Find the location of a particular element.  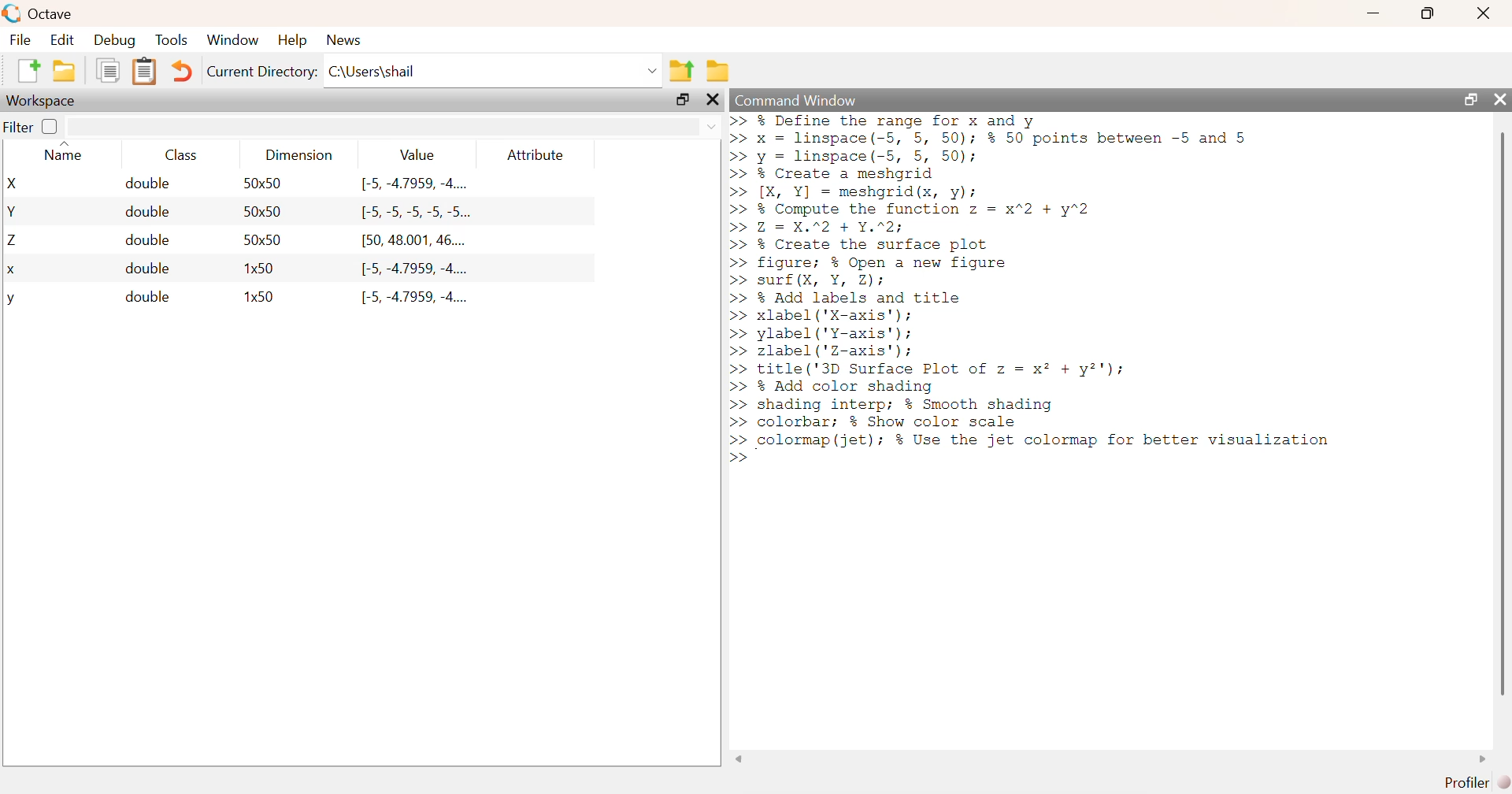

New File is located at coordinates (28, 71).